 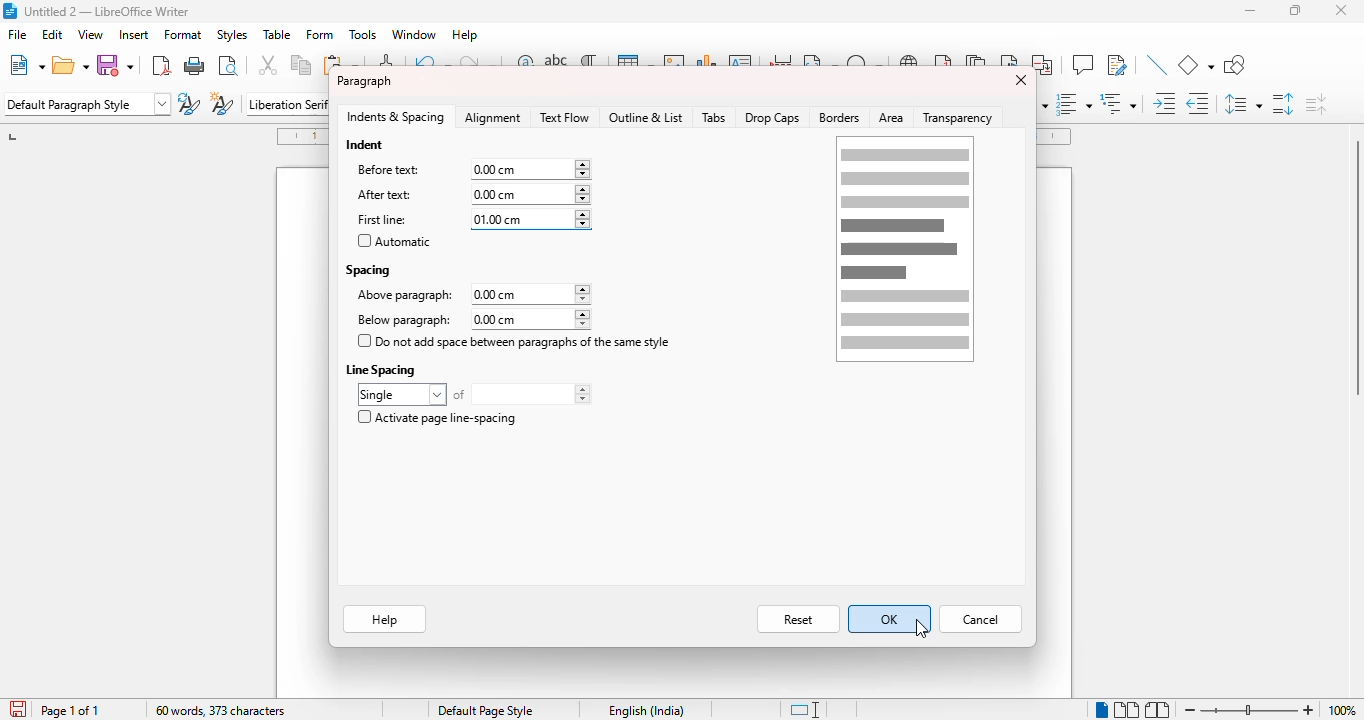 What do you see at coordinates (798, 620) in the screenshot?
I see `reset` at bounding box center [798, 620].